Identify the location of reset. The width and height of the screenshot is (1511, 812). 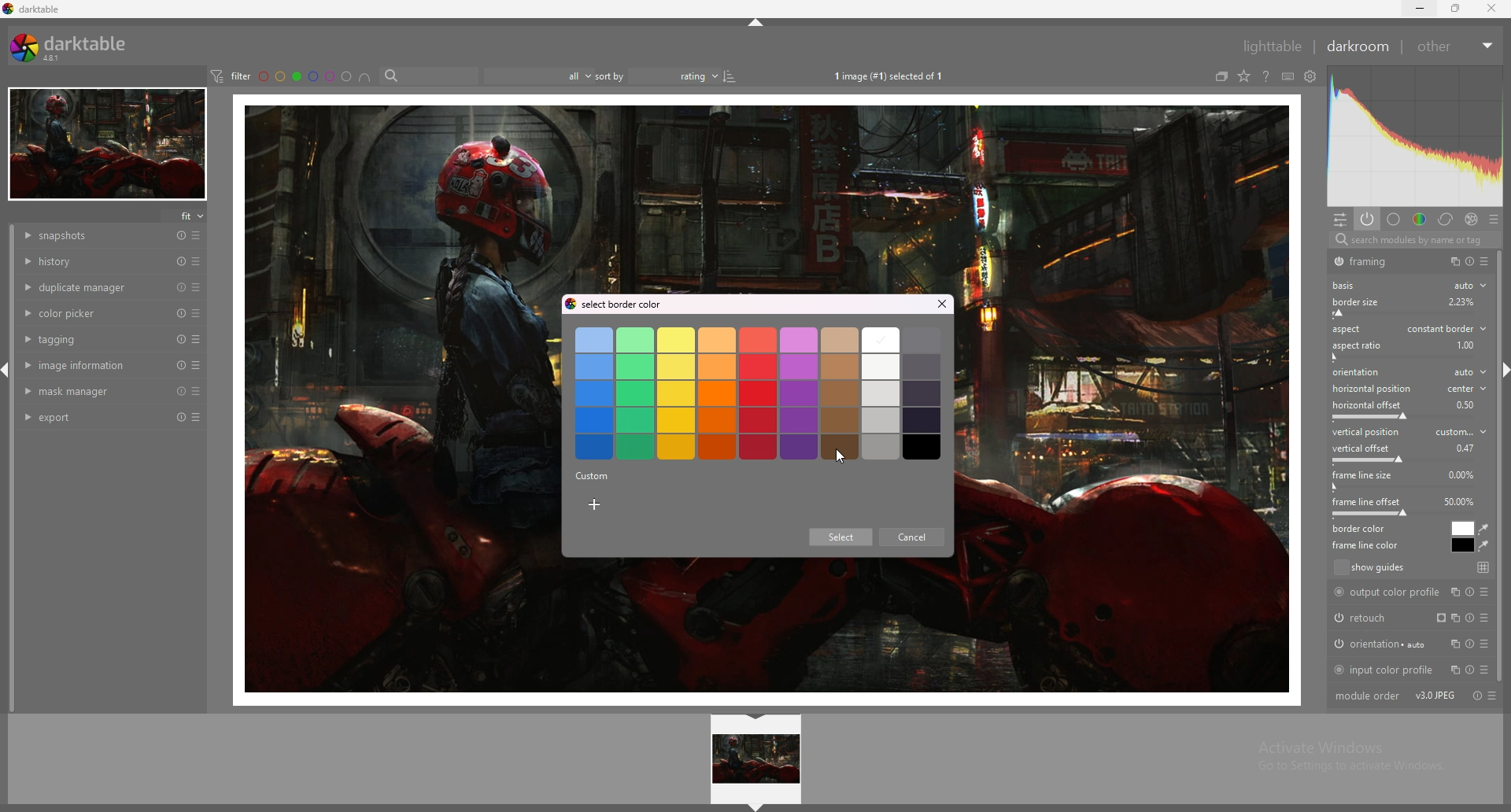
(181, 236).